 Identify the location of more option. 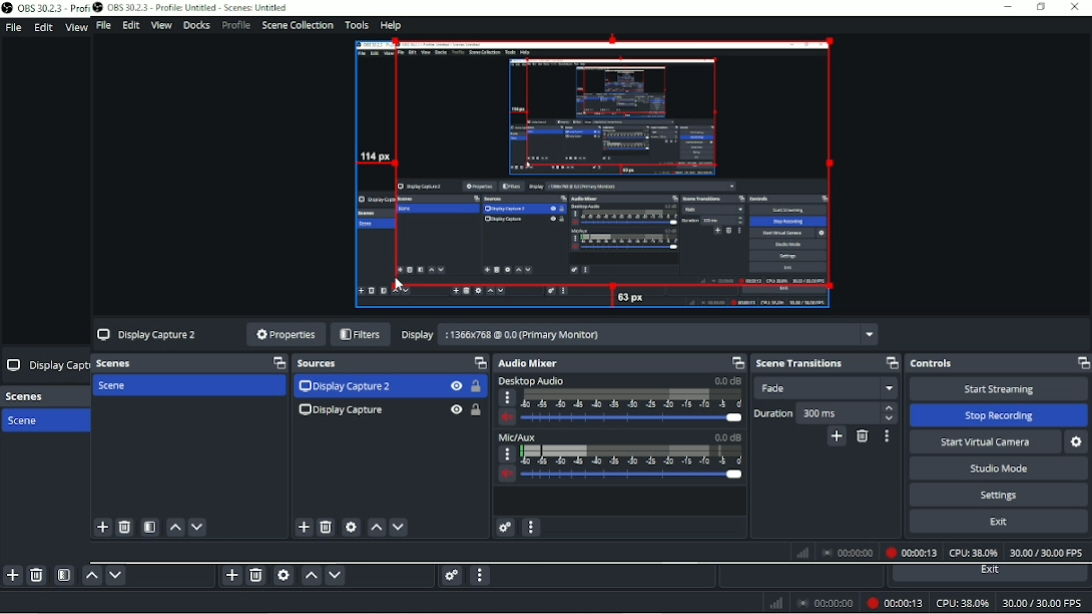
(535, 528).